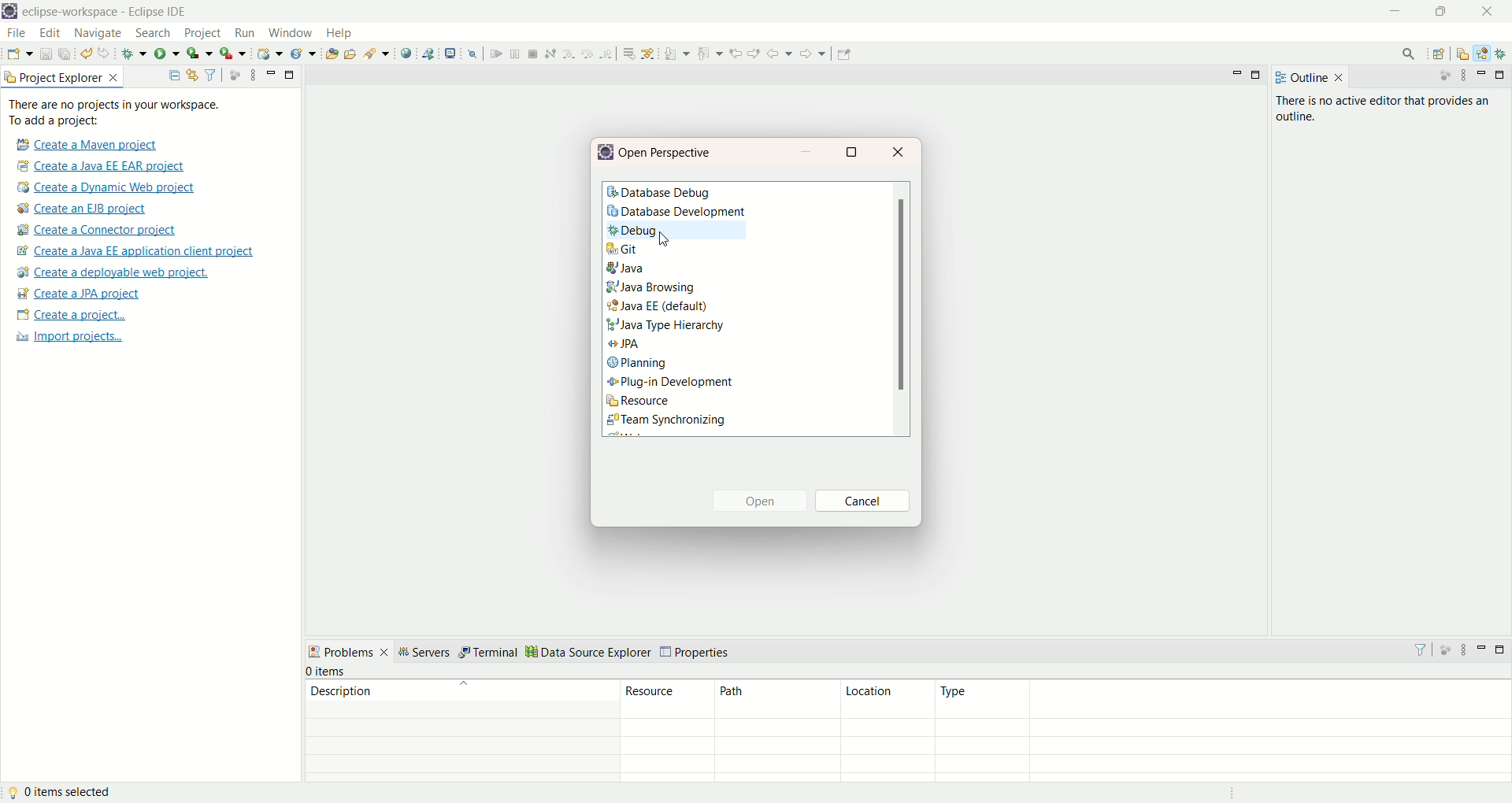 The width and height of the screenshot is (1512, 803). What do you see at coordinates (350, 654) in the screenshot?
I see `problems` at bounding box center [350, 654].